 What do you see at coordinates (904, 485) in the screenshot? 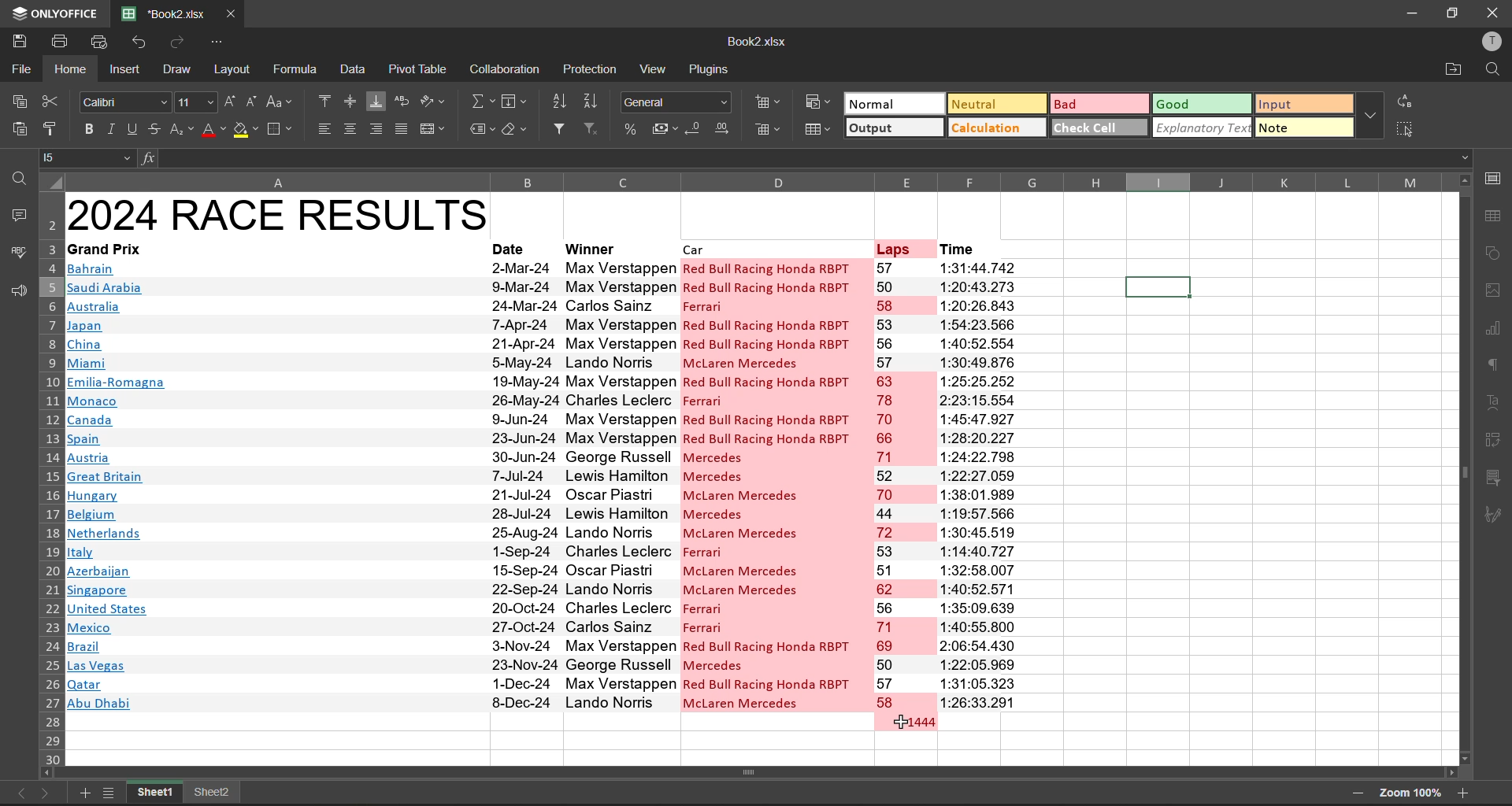
I see `laps` at bounding box center [904, 485].